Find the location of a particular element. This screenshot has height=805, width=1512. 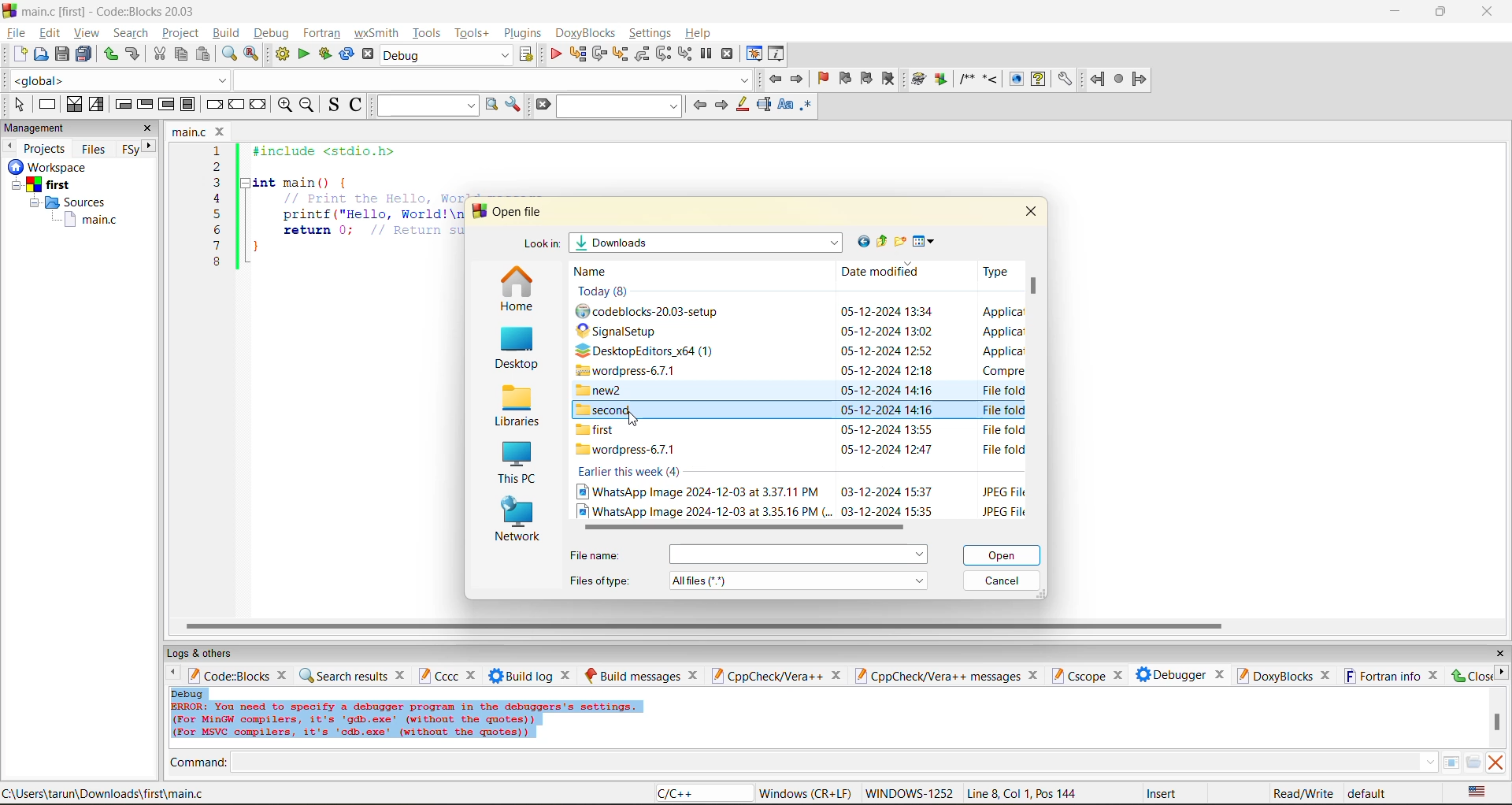

app name and file name is located at coordinates (112, 10).